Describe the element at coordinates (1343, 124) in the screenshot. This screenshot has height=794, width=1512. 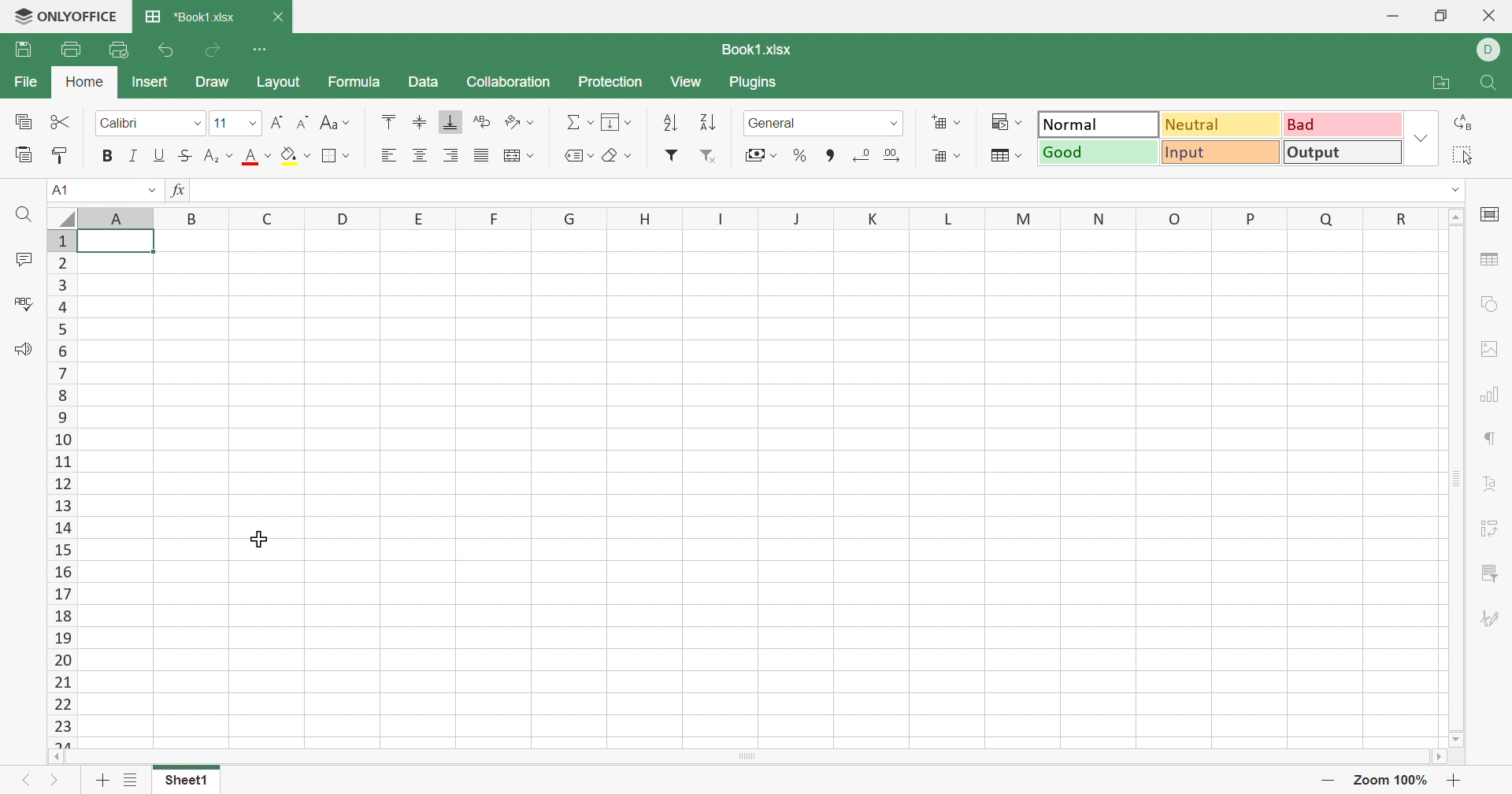
I see `Bad` at that location.